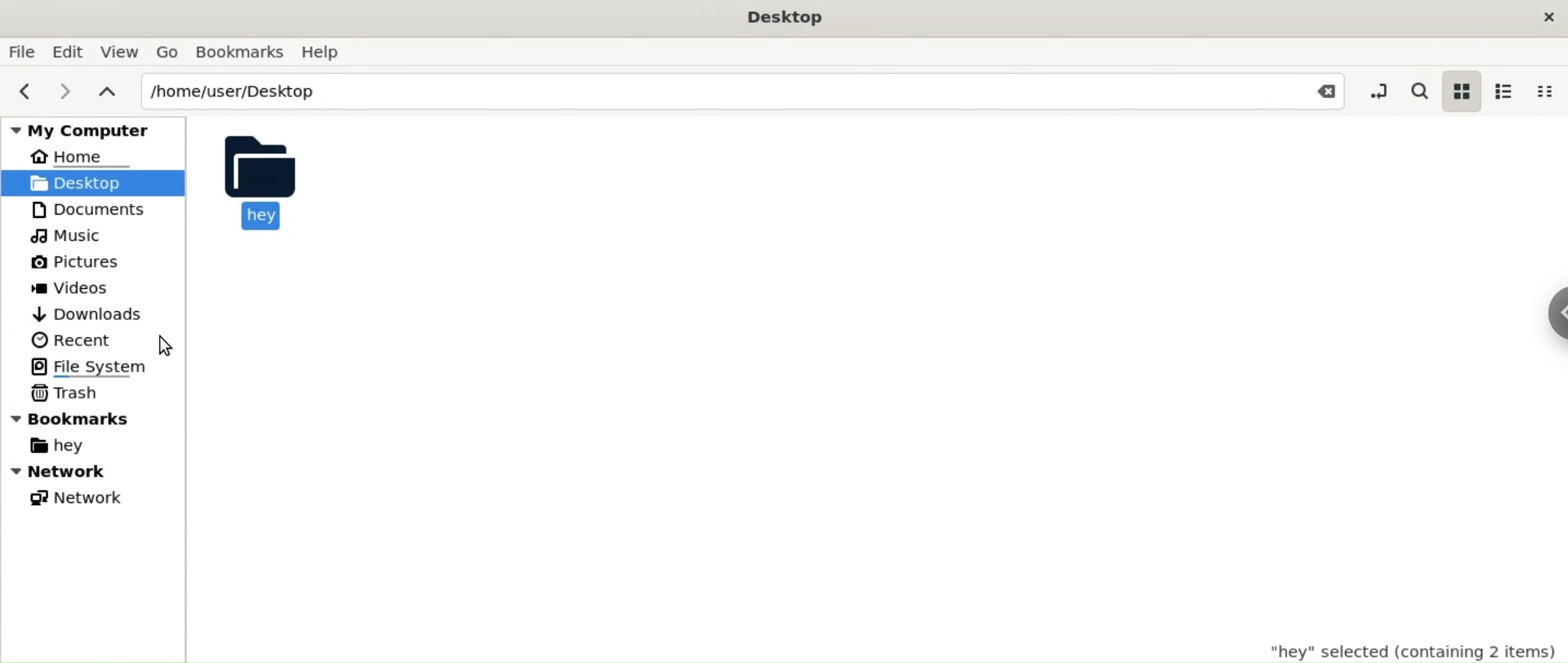 Image resolution: width=1568 pixels, height=663 pixels. I want to click on search, so click(1419, 90).